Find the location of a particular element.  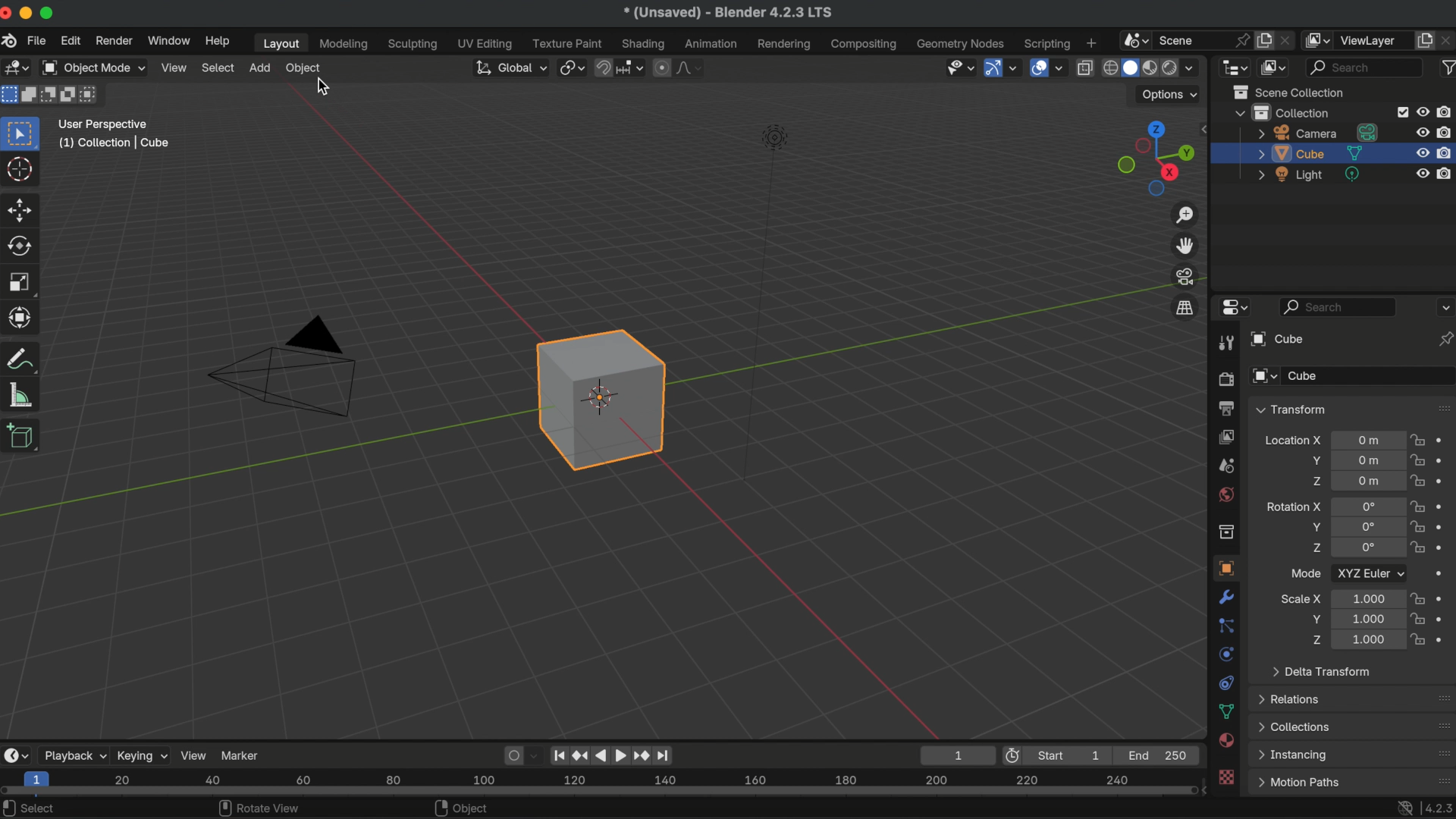

snapping is located at coordinates (632, 67).